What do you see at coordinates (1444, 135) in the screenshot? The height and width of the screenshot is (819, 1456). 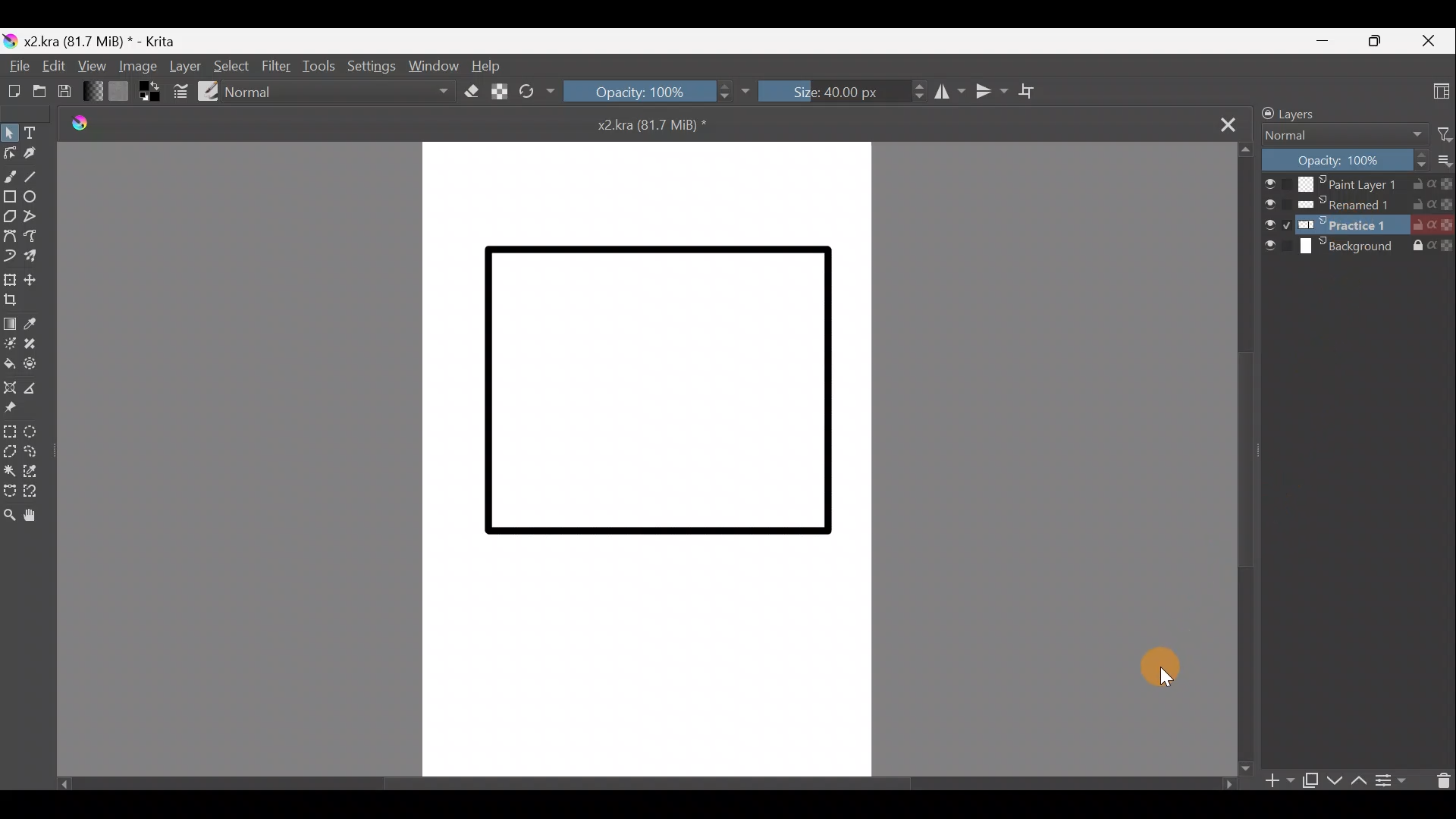 I see `Filter` at bounding box center [1444, 135].